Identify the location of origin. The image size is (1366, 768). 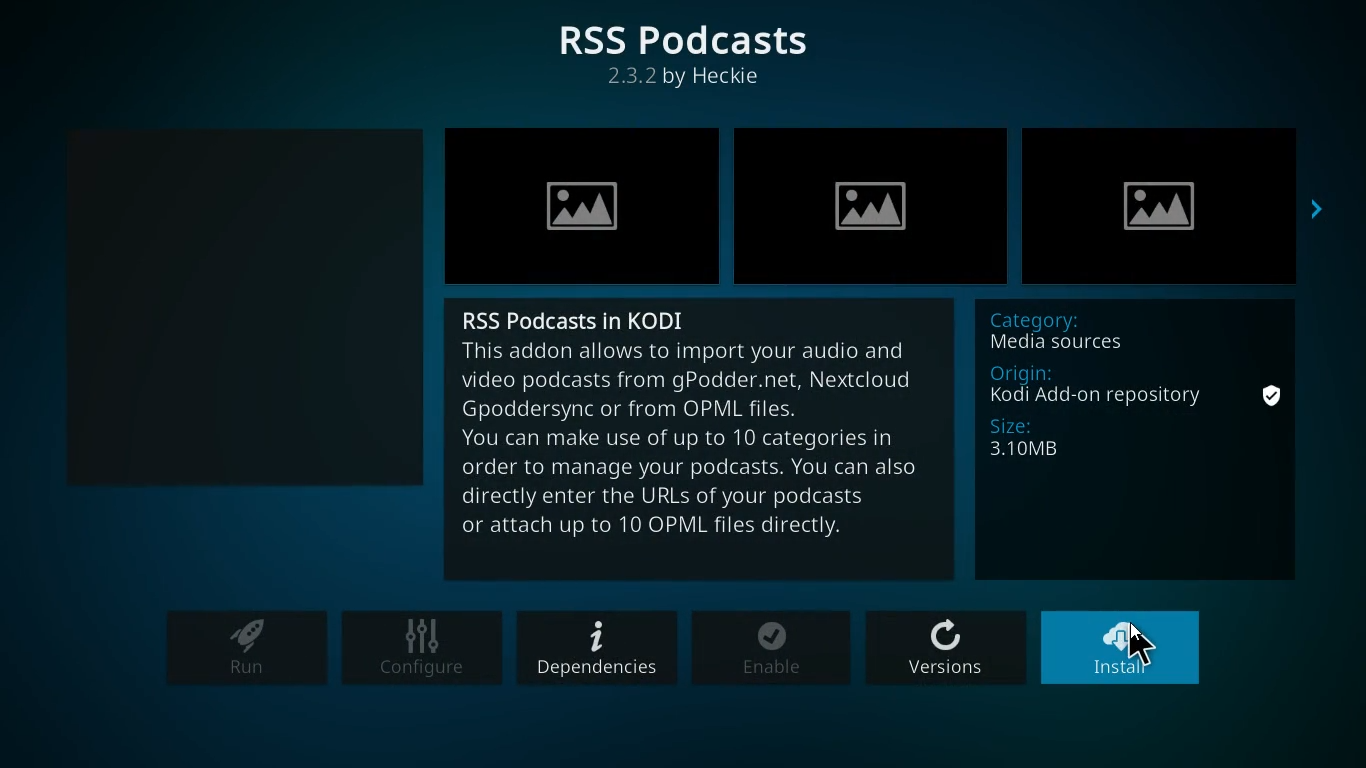
(1094, 384).